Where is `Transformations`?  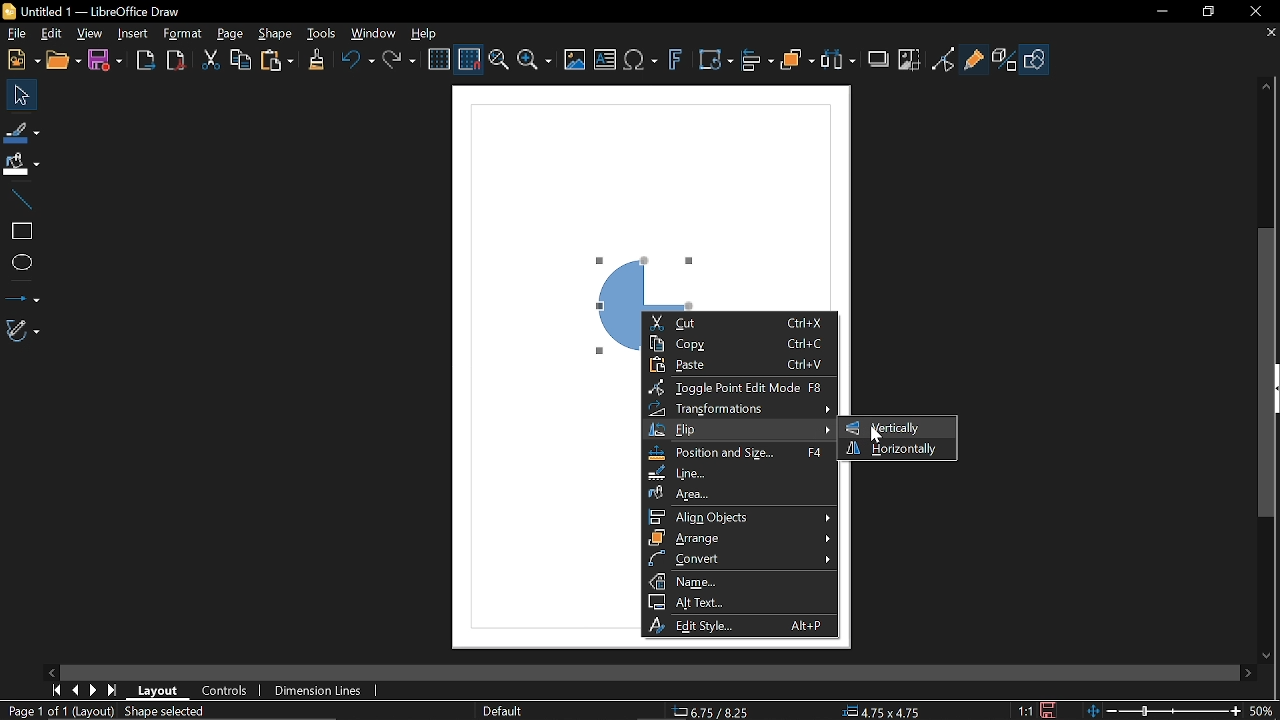 Transformations is located at coordinates (740, 410).